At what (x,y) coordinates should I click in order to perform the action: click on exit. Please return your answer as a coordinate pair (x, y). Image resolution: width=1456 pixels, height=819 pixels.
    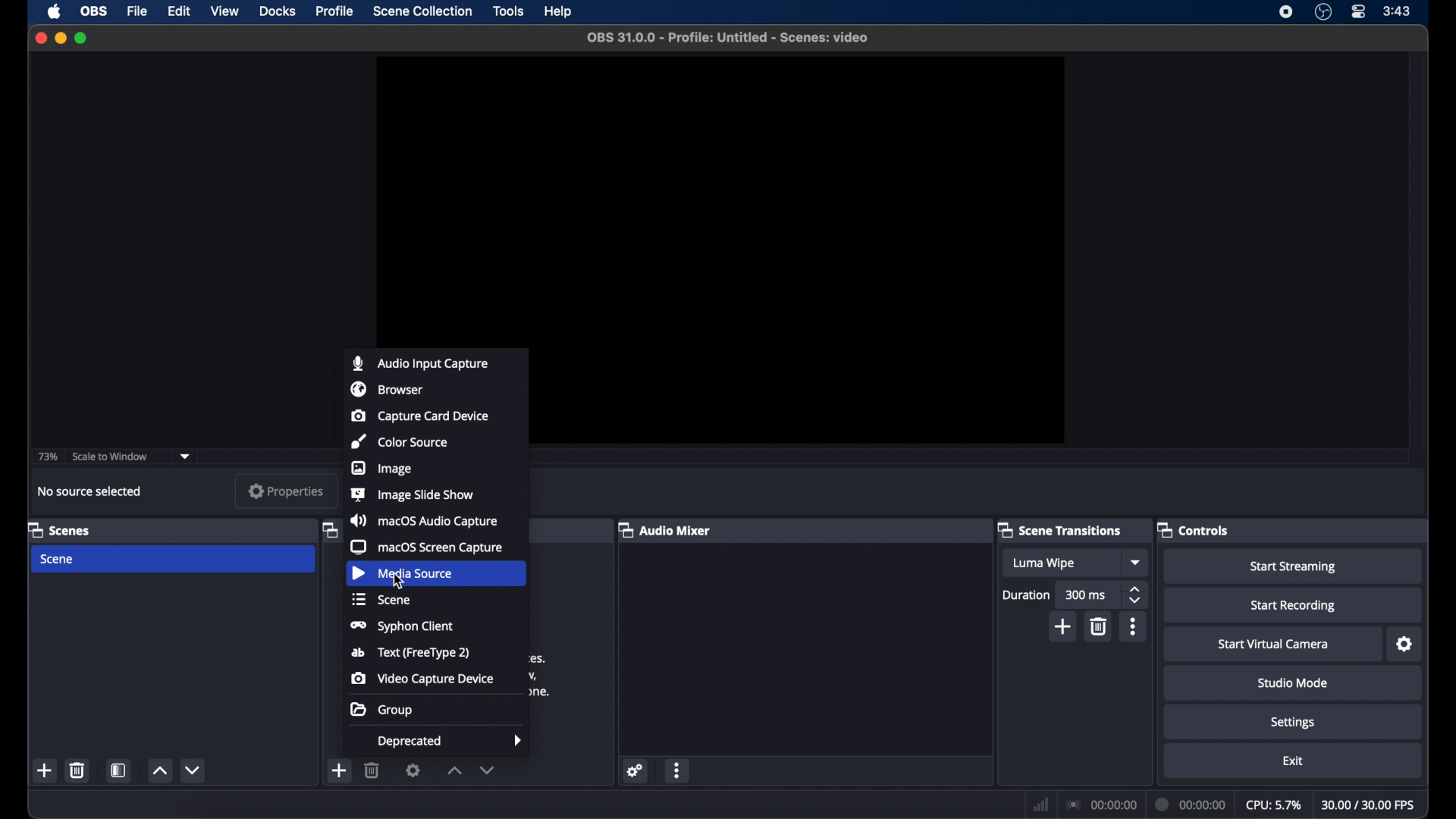
    Looking at the image, I should click on (1295, 761).